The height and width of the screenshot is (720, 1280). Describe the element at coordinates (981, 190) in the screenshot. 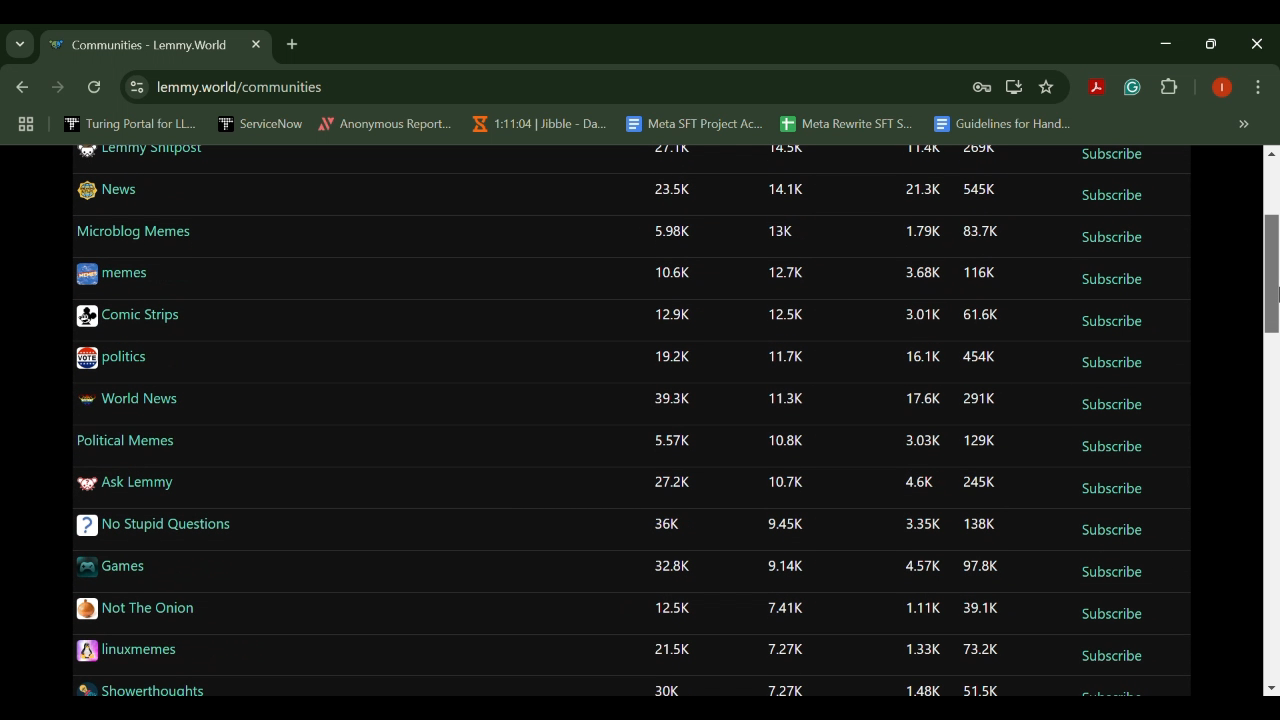

I see `545K` at that location.